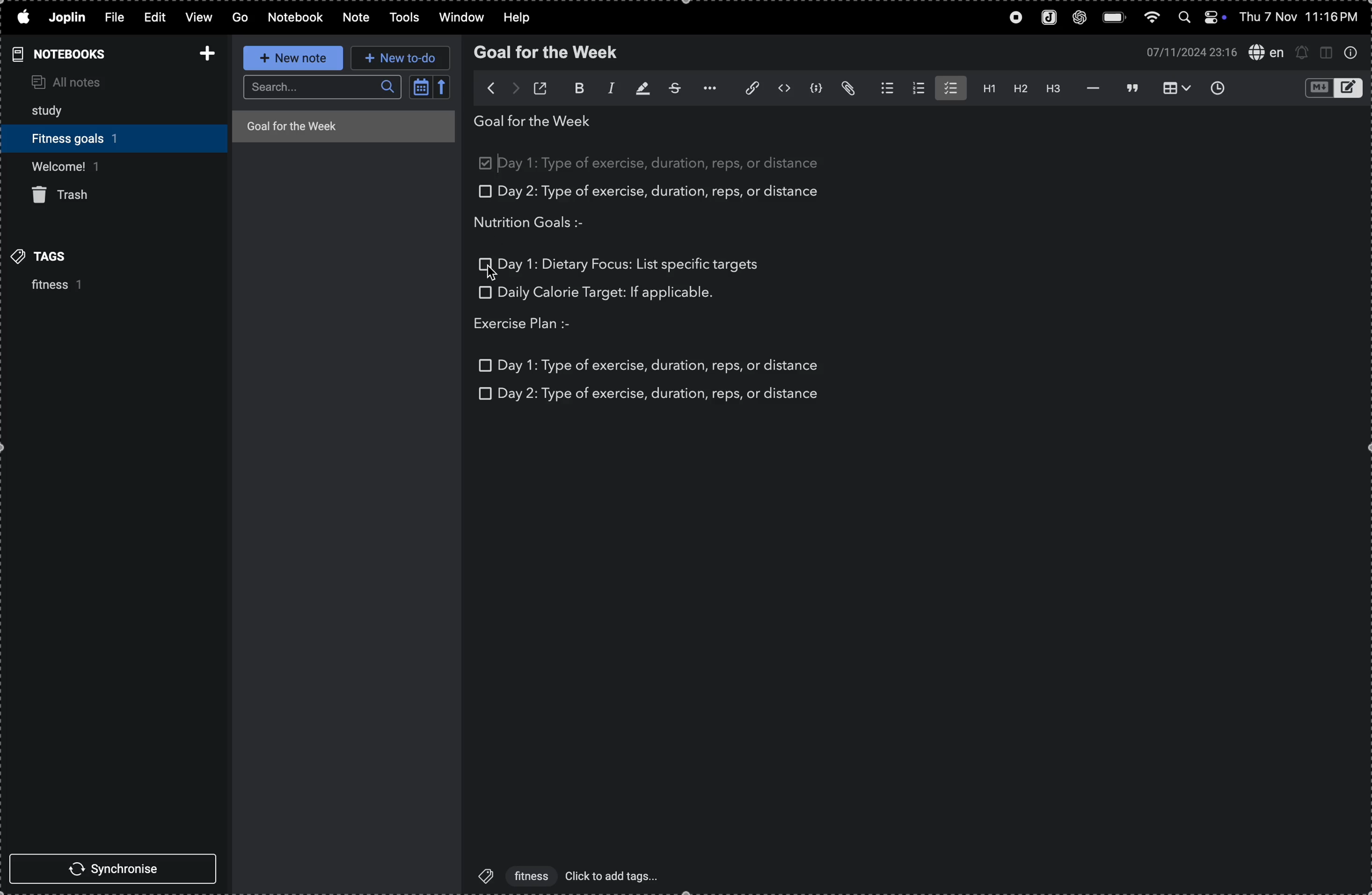  Describe the element at coordinates (782, 89) in the screenshot. I see `inline` at that location.